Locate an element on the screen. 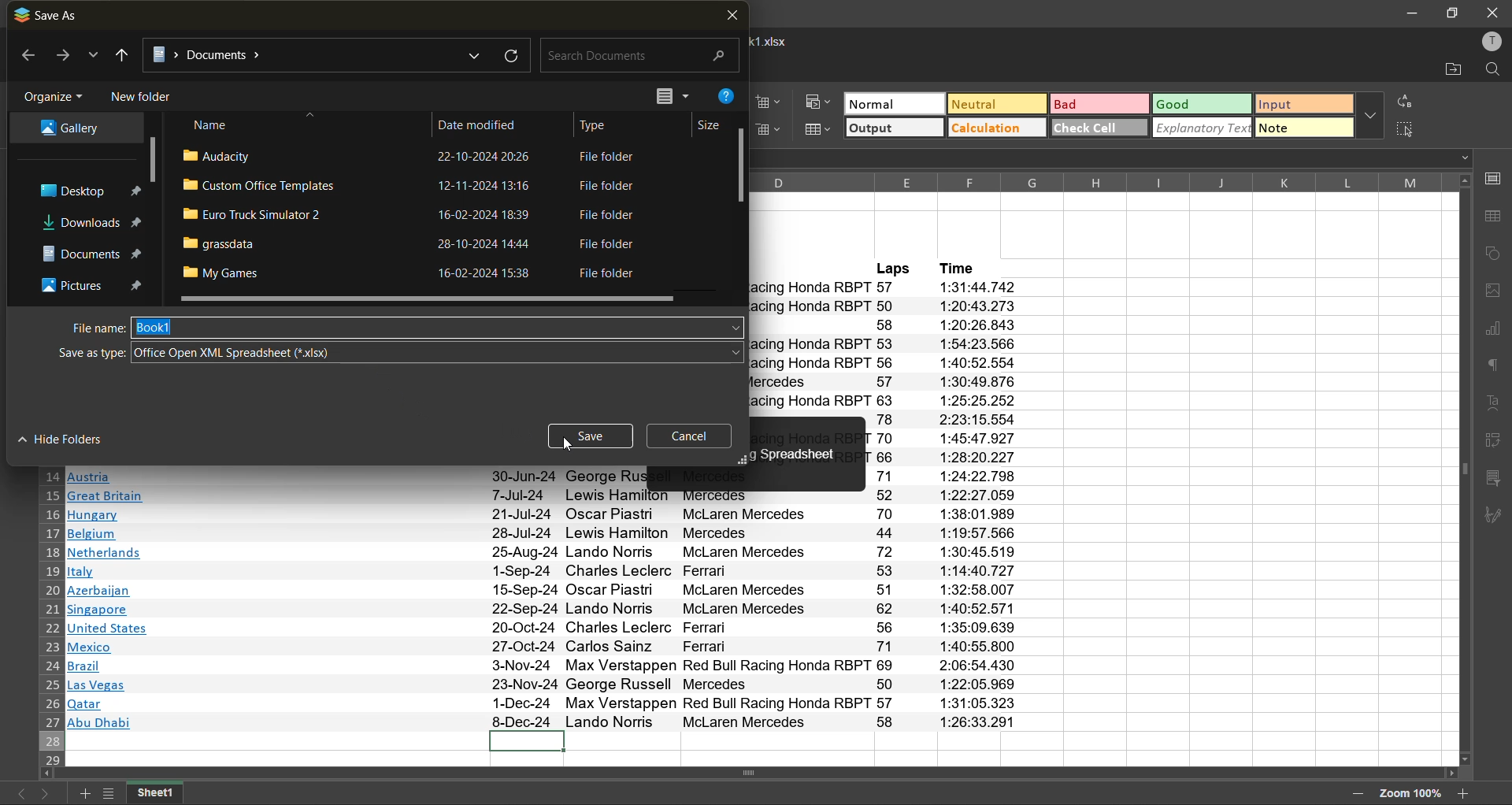  INetherlands 25-Aug-24 Lando Norris McLaren Mercedes 72 1:30:45.519 is located at coordinates (544, 552).